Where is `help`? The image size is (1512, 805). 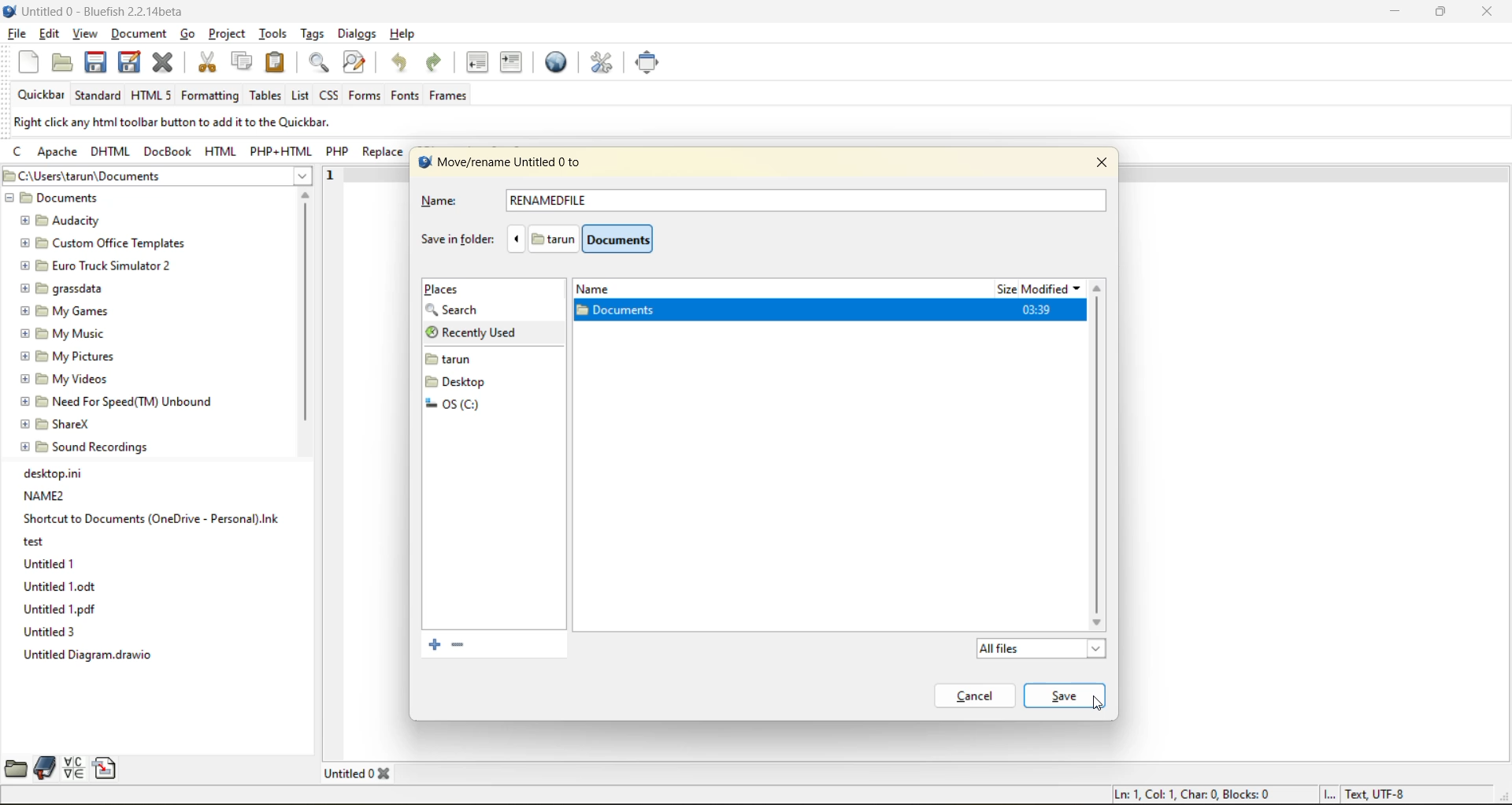 help is located at coordinates (406, 34).